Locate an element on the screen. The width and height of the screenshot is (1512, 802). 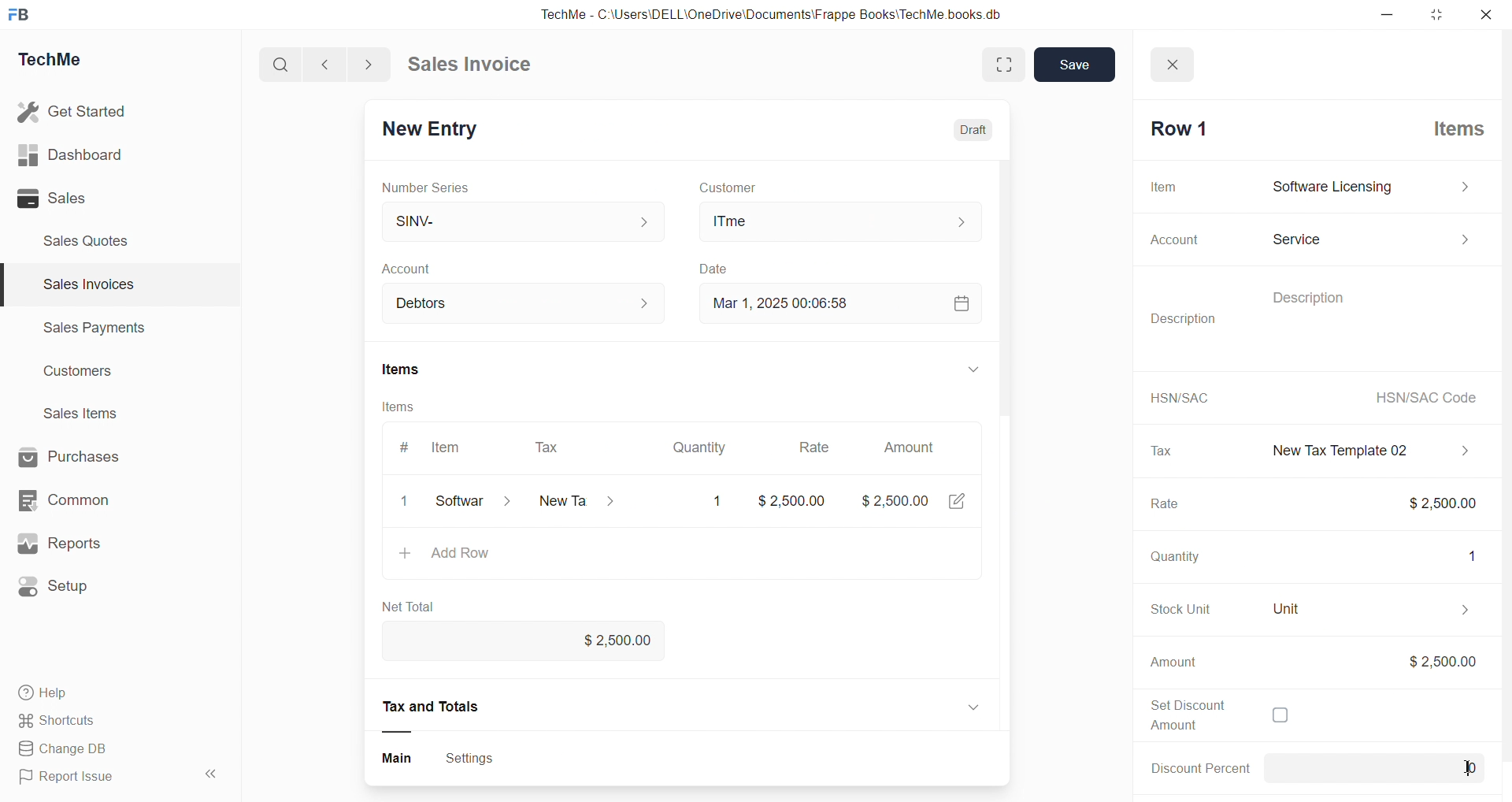
$2,500.00 is located at coordinates (1430, 502).